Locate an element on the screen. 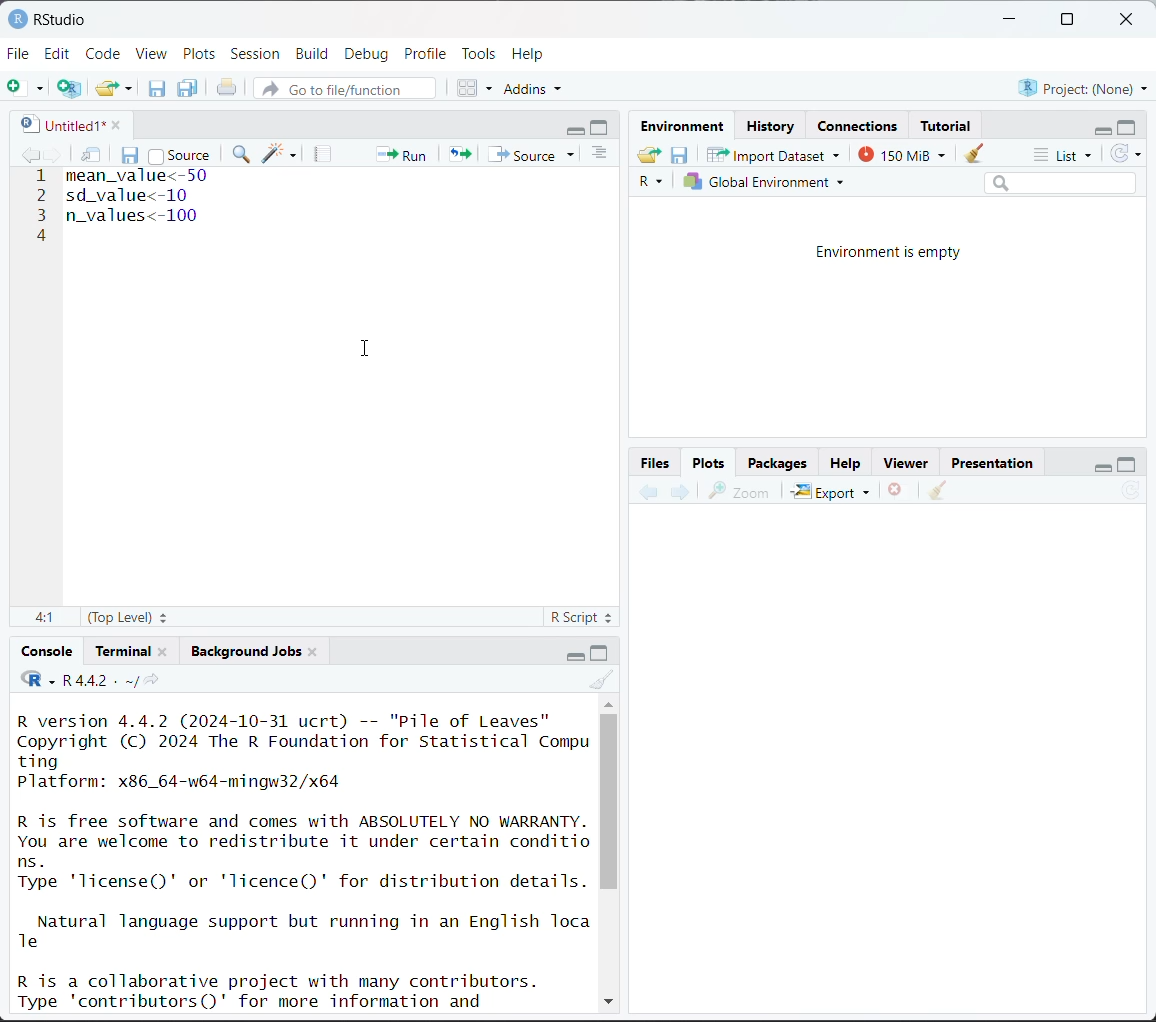  Export is located at coordinates (832, 491).